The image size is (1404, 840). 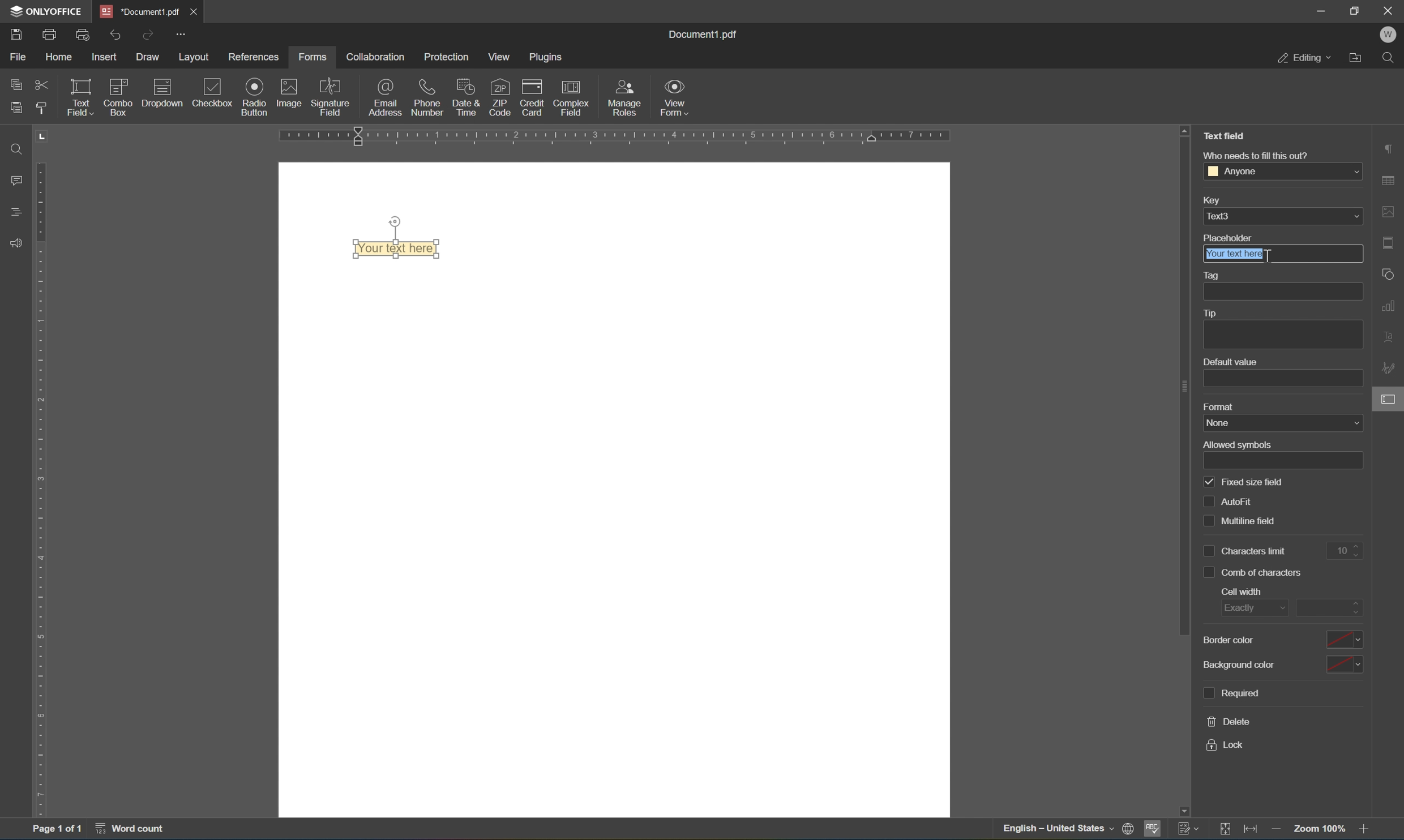 What do you see at coordinates (194, 11) in the screenshot?
I see `close` at bounding box center [194, 11].